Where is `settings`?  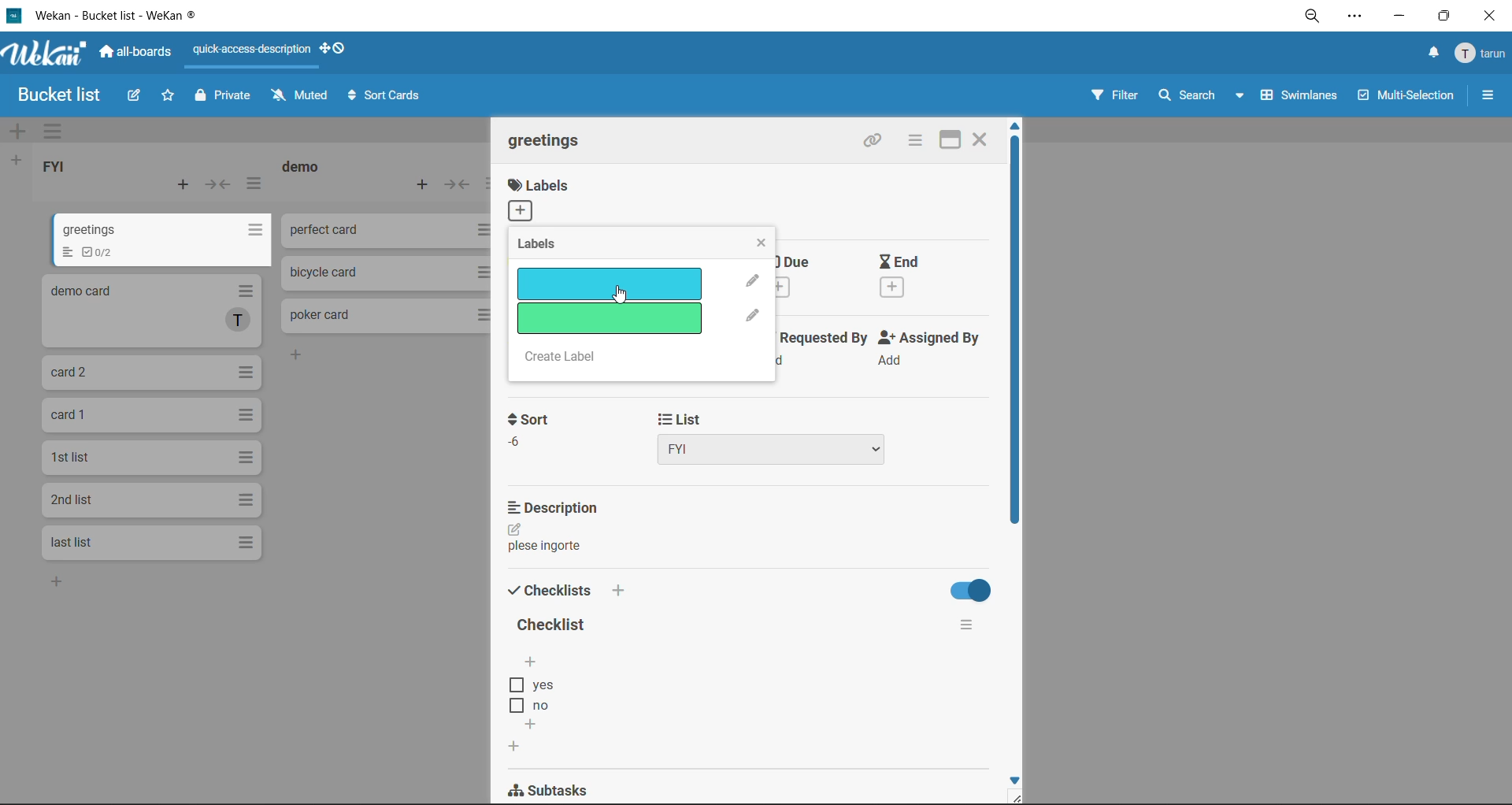 settings is located at coordinates (1358, 18).